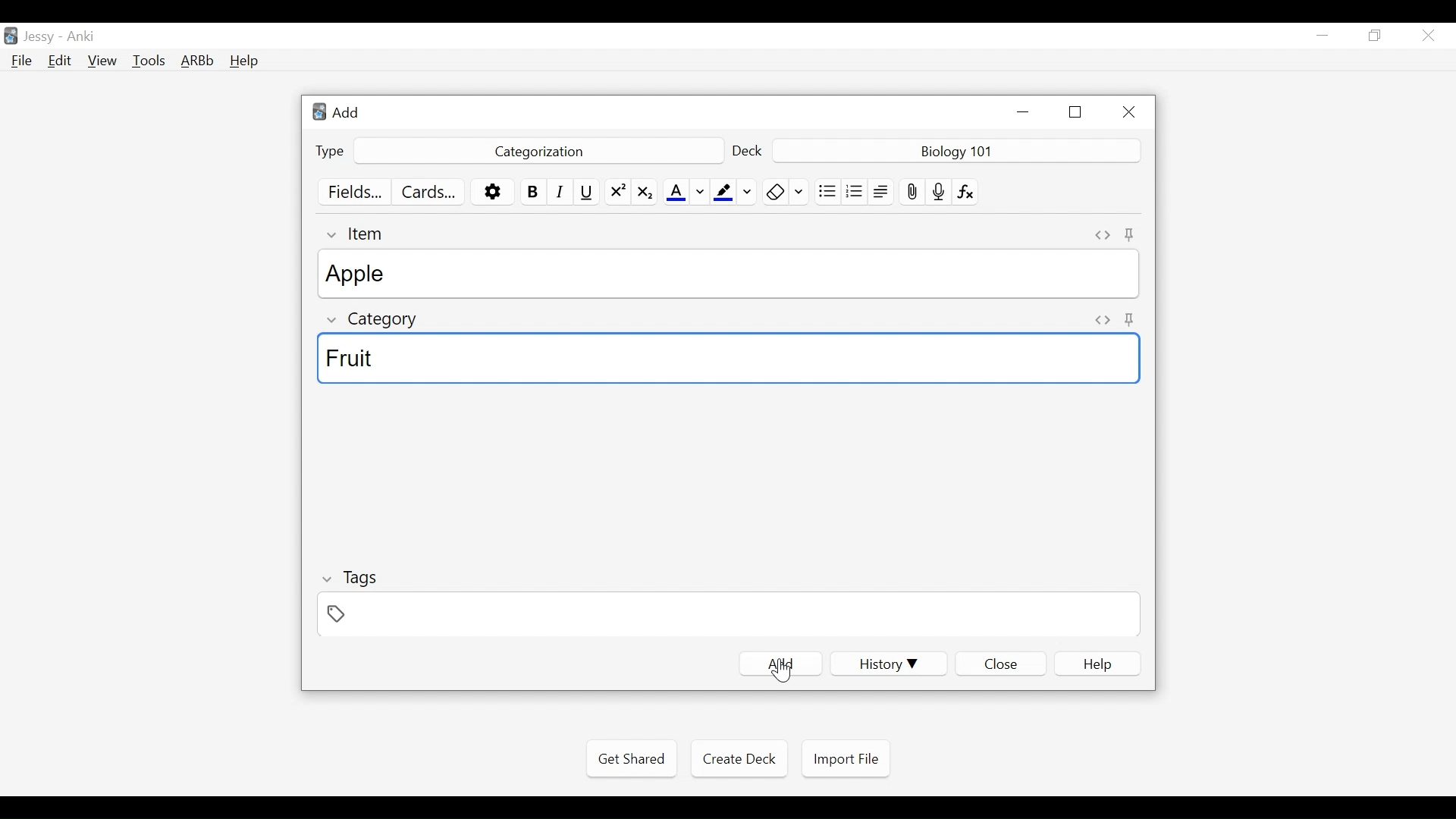 This screenshot has height=819, width=1456. Describe the element at coordinates (731, 274) in the screenshot. I see `Item Field` at that location.